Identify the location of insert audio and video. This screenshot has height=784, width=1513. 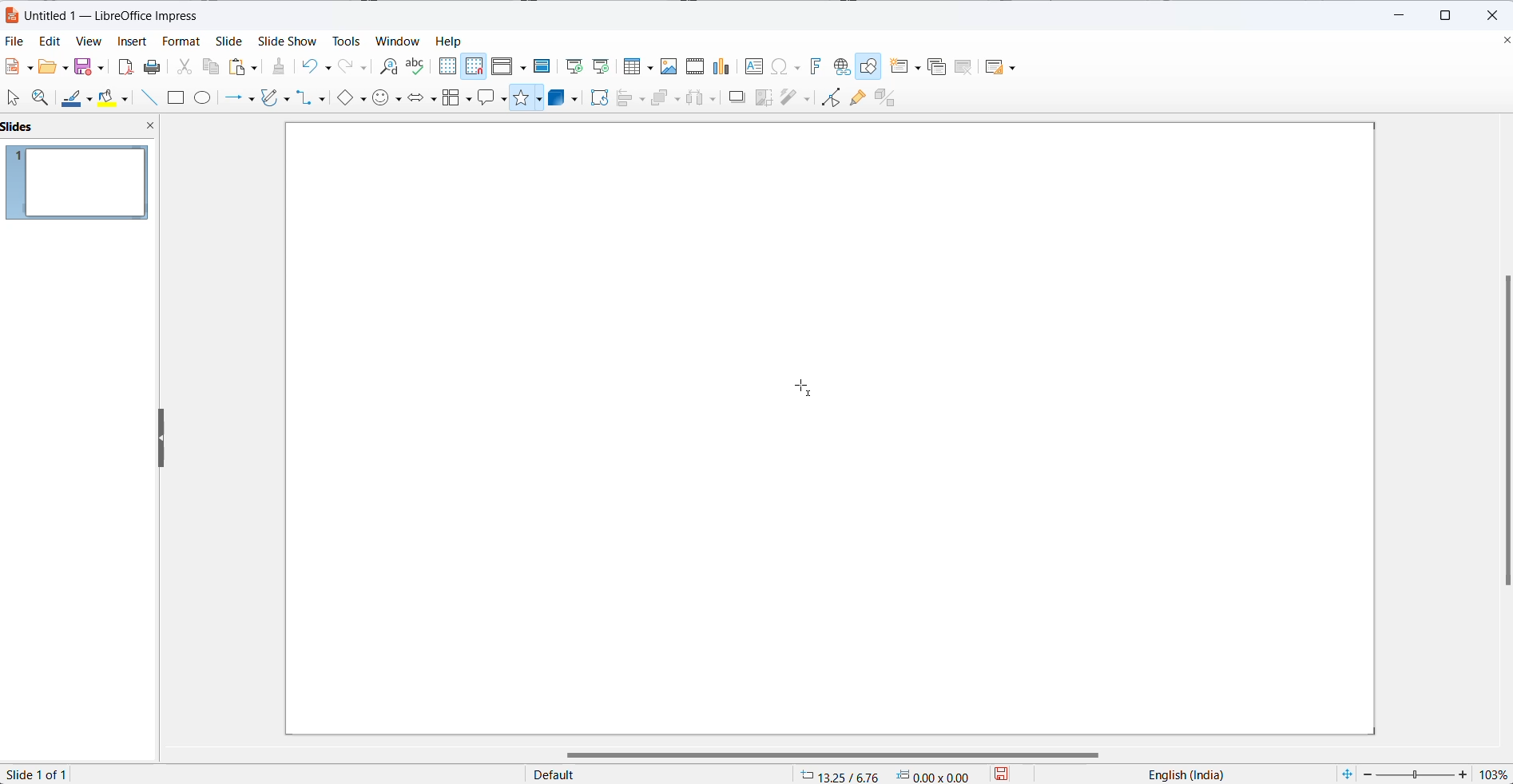
(693, 66).